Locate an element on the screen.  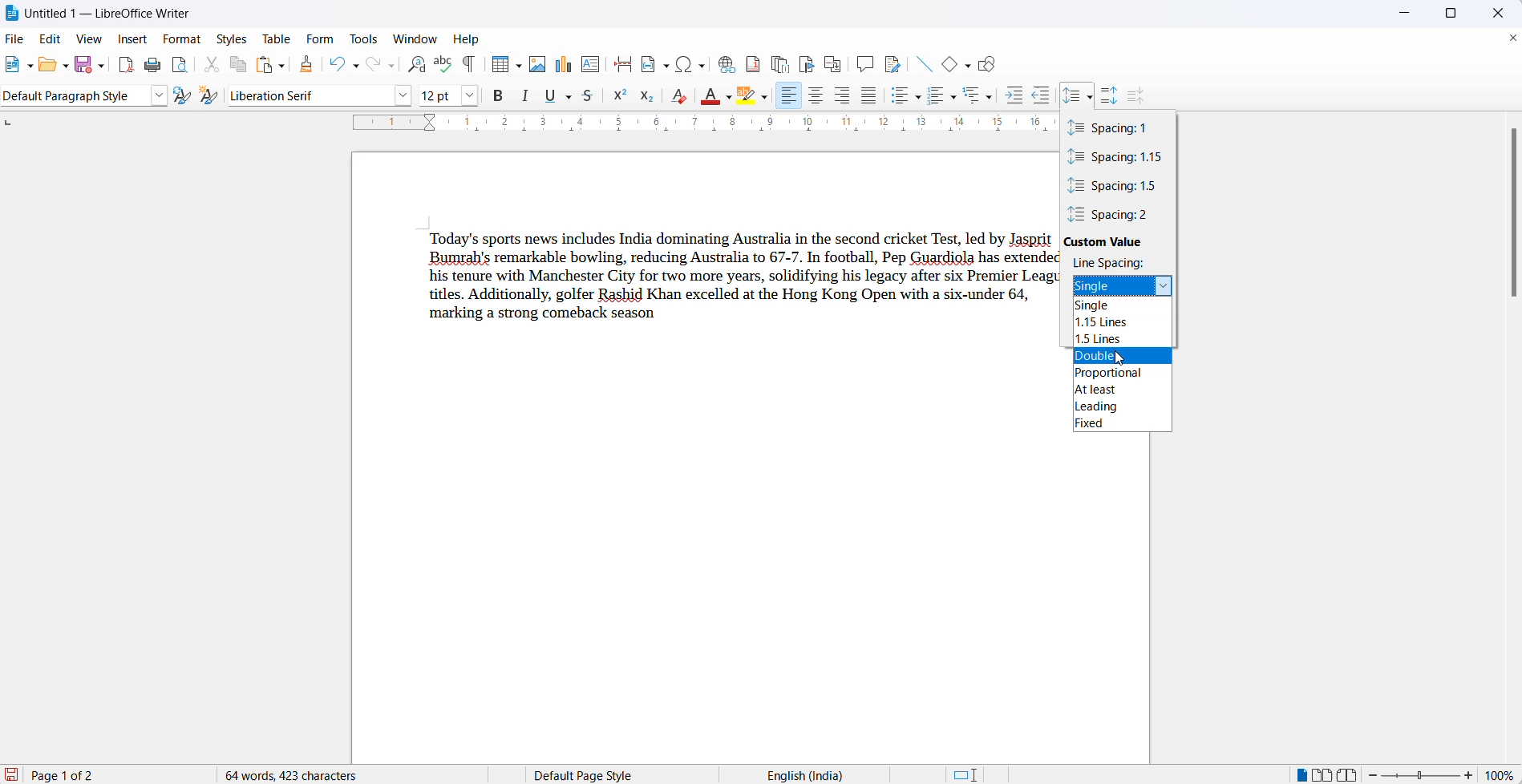
underline is located at coordinates (553, 96).